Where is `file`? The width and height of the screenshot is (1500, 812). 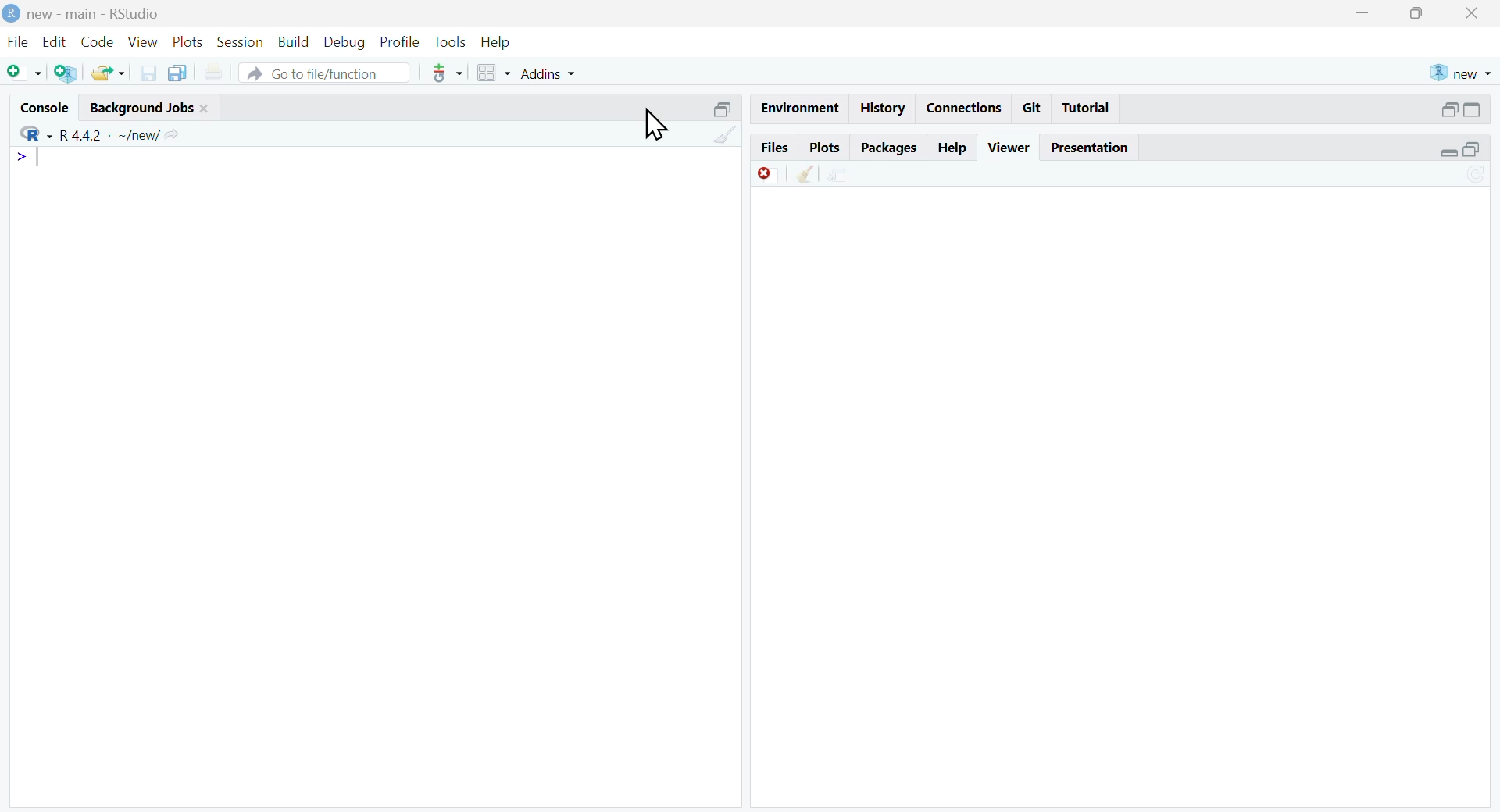
file is located at coordinates (18, 41).